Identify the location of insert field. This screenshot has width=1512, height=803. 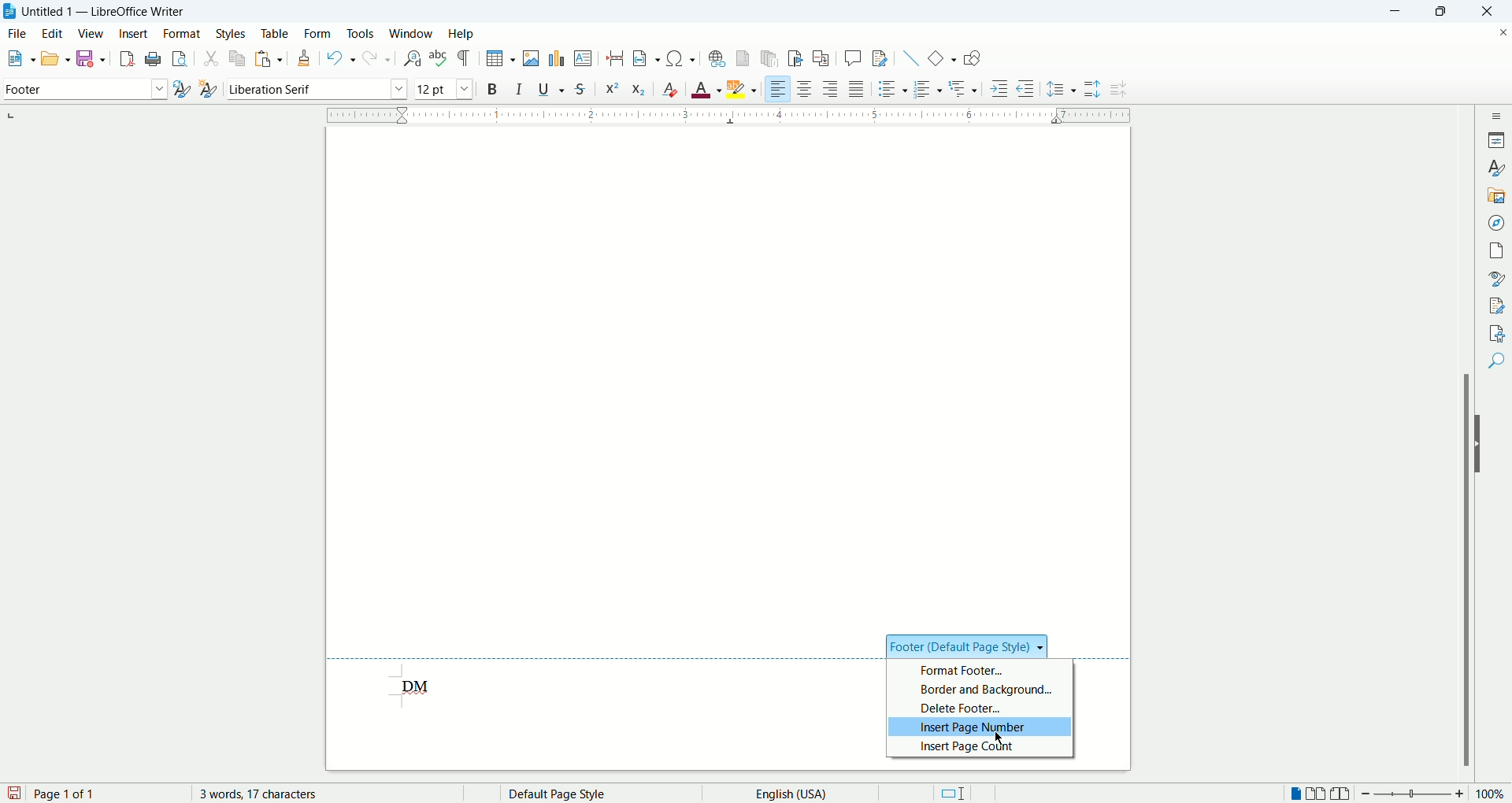
(646, 59).